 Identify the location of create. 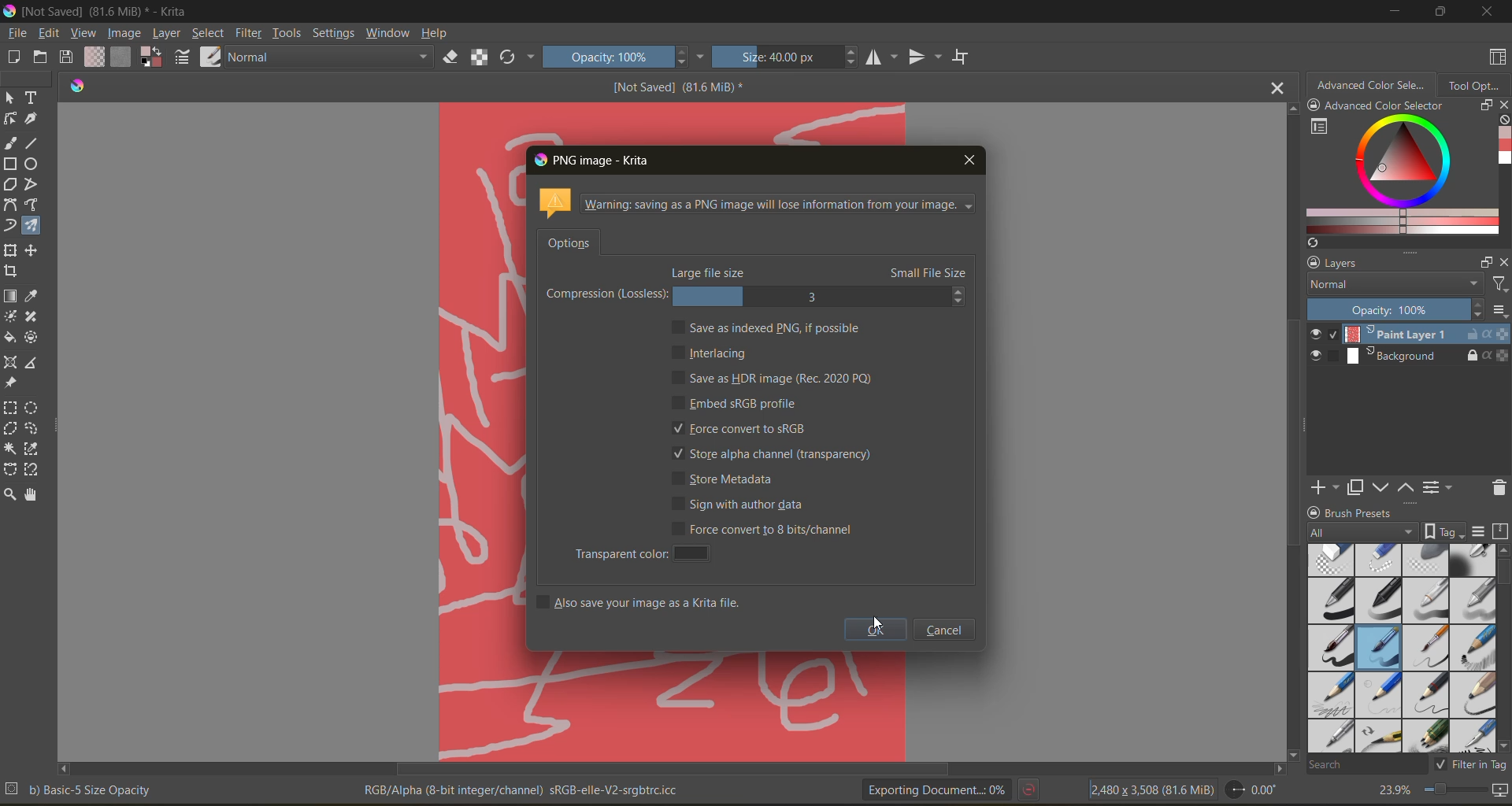
(15, 58).